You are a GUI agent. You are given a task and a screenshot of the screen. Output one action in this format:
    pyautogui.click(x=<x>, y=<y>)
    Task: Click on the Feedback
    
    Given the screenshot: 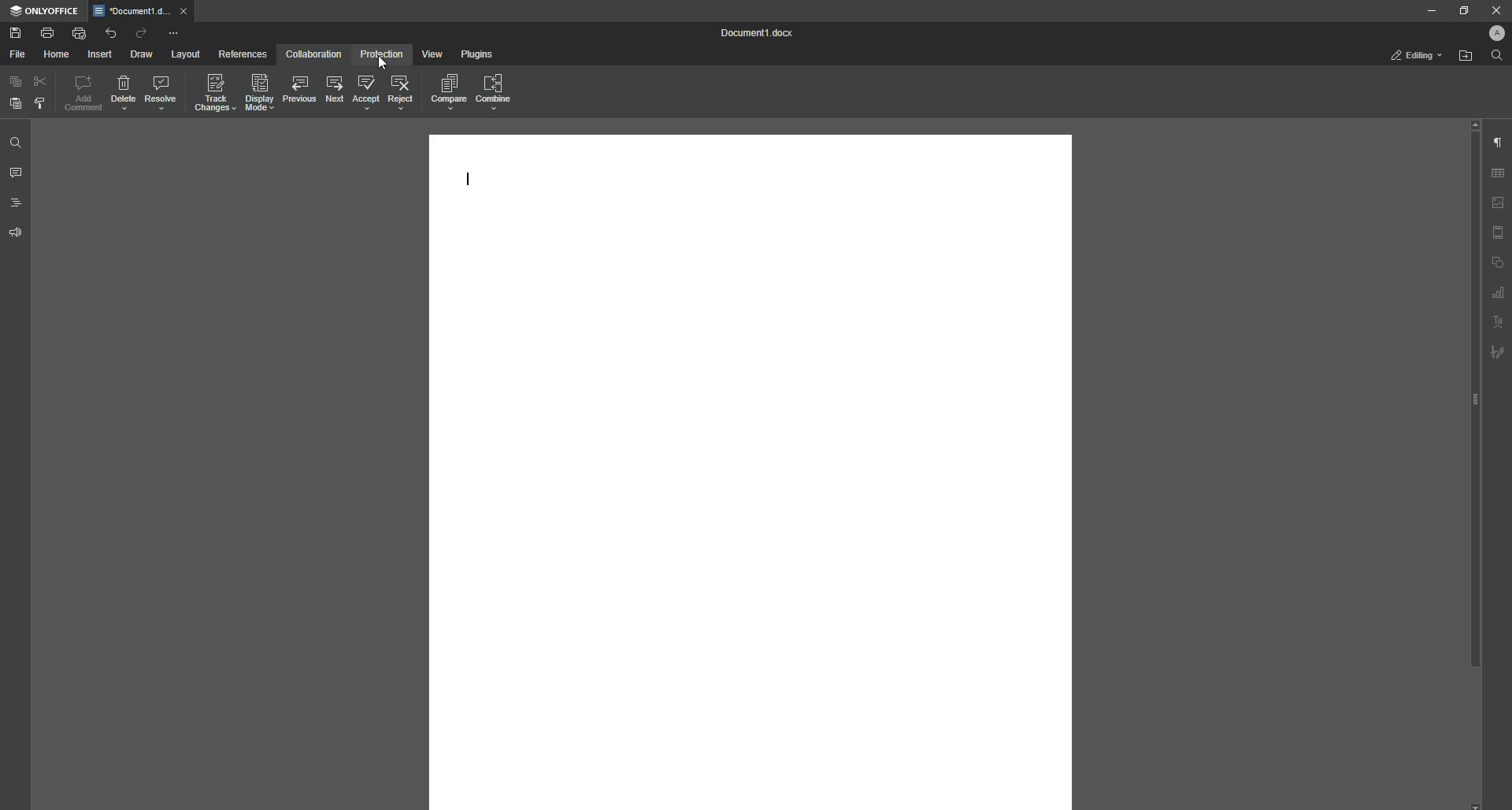 What is the action you would take?
    pyautogui.click(x=15, y=234)
    